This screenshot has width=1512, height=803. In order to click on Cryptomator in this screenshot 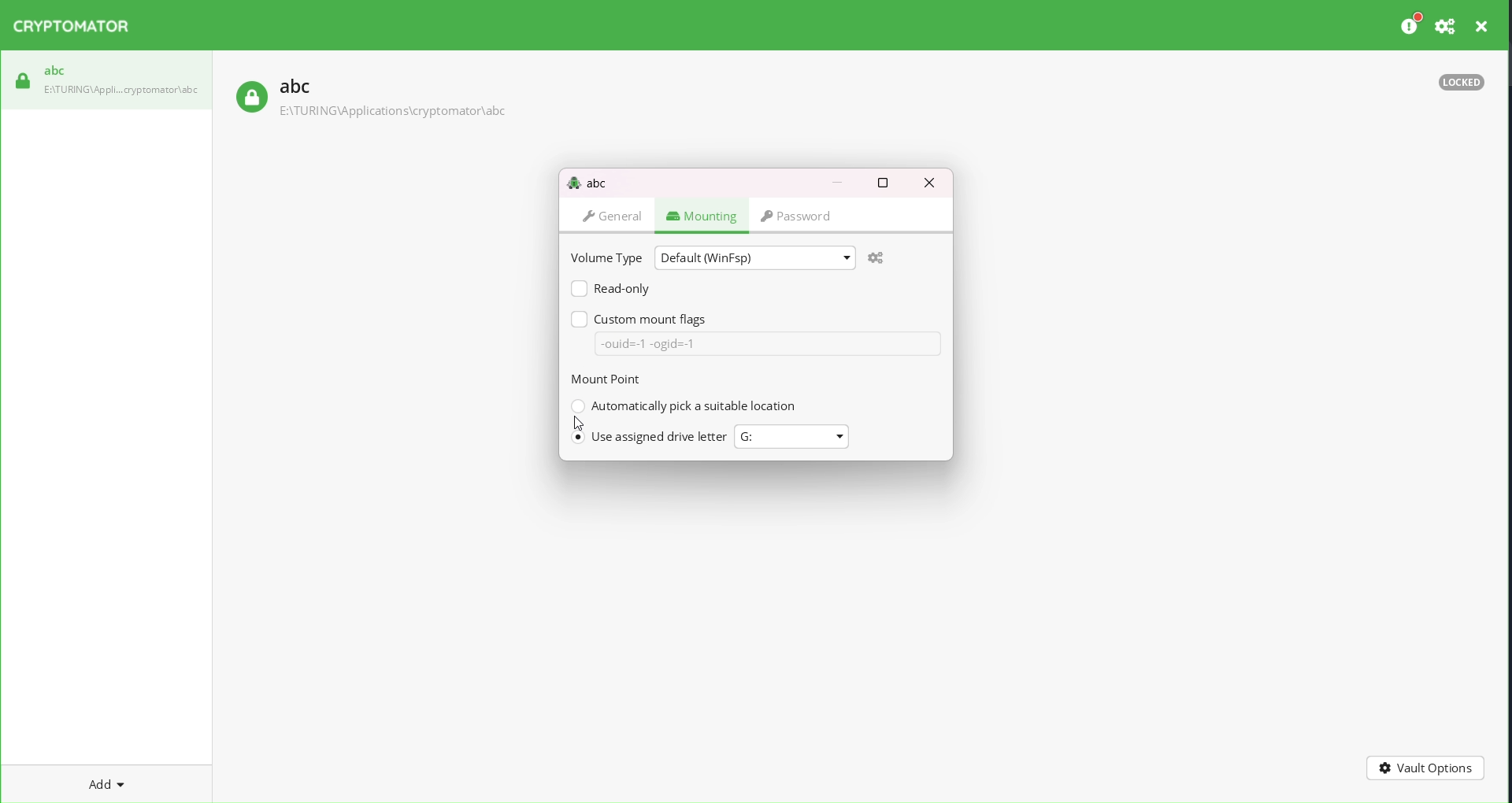, I will do `click(77, 28)`.